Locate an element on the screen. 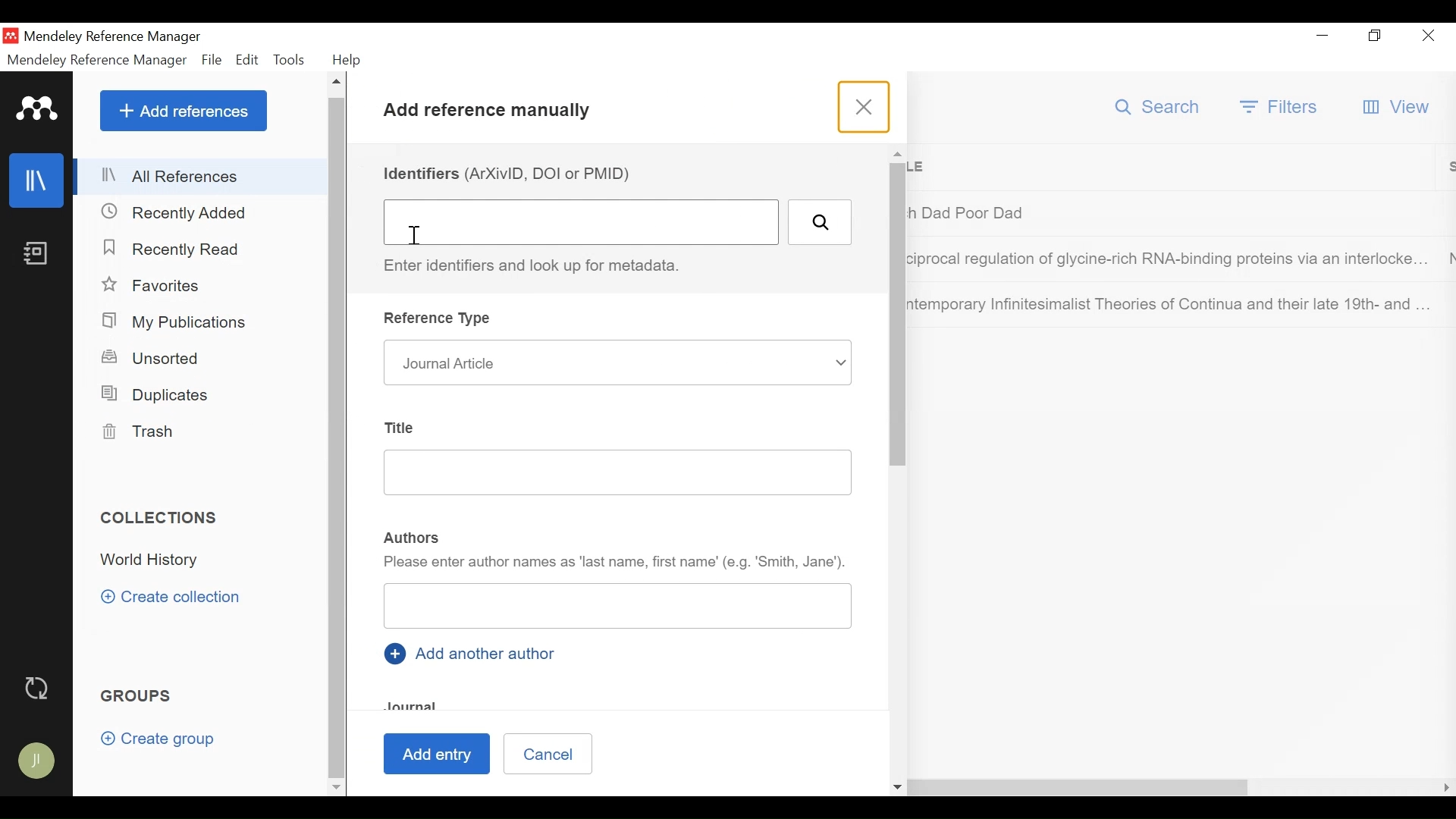 The height and width of the screenshot is (819, 1456). Vertical Scroll bar is located at coordinates (338, 436).